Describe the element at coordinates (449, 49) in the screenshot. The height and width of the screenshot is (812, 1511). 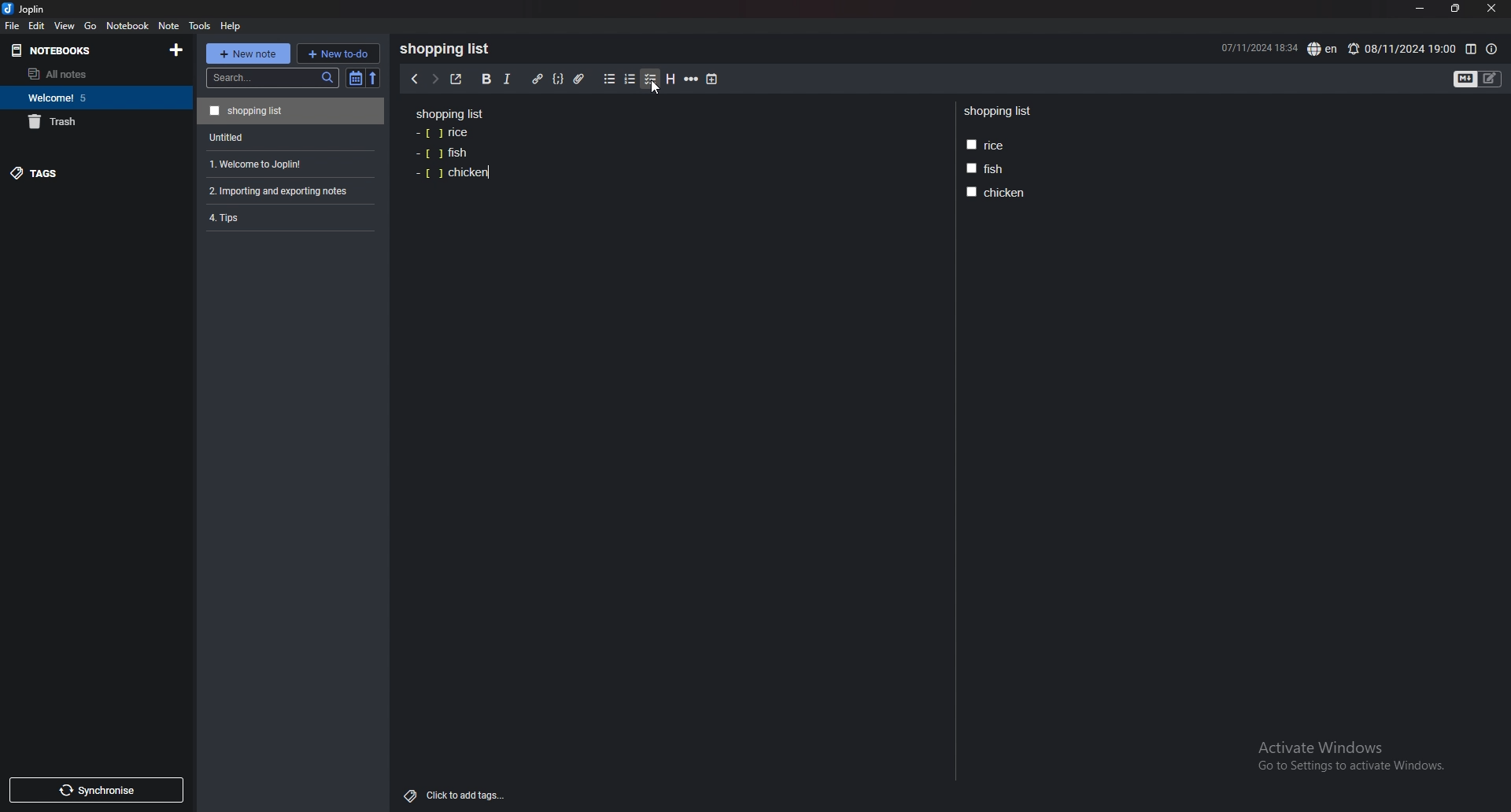
I see `Shopping list` at that location.